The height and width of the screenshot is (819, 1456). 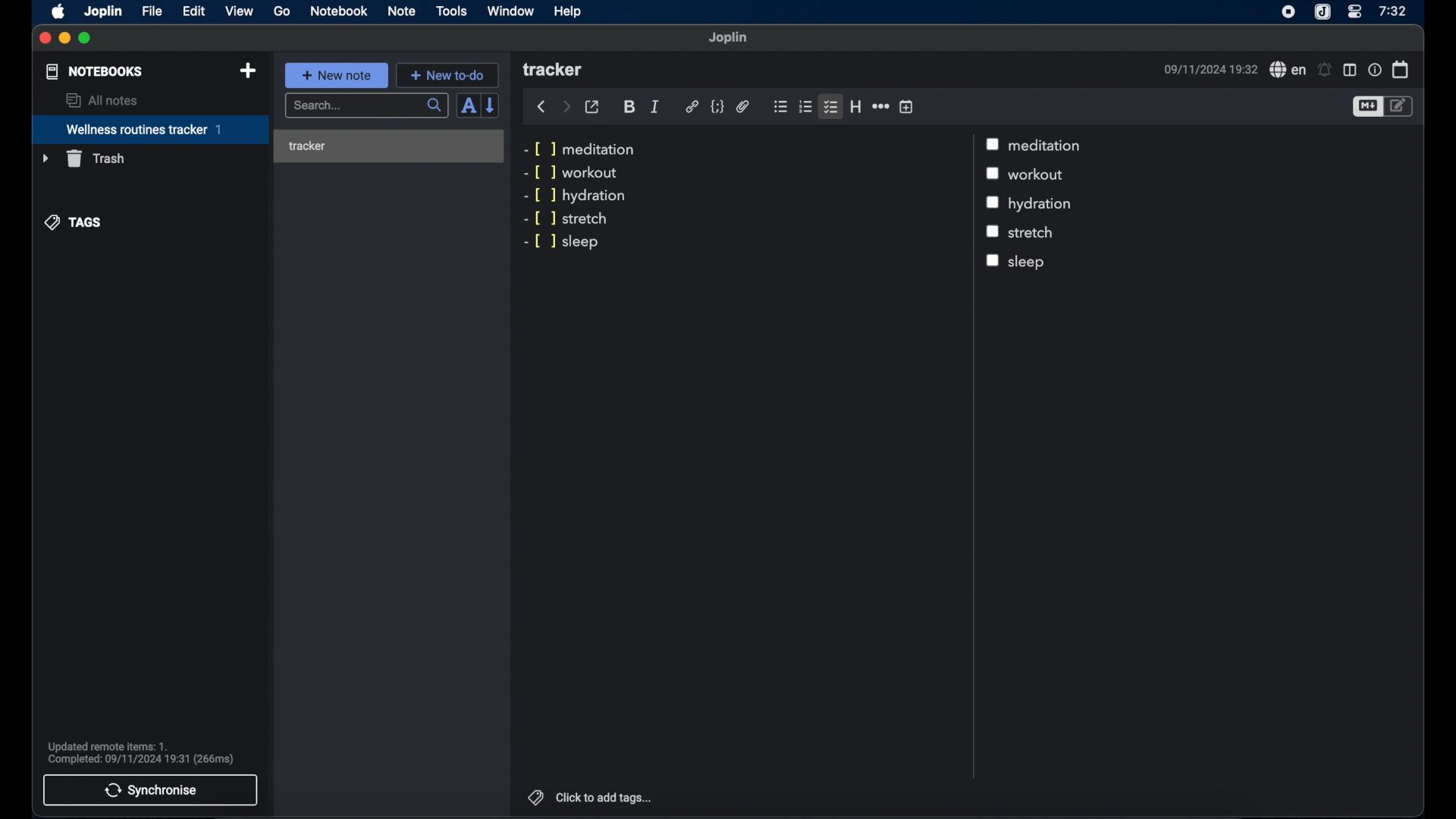 I want to click on file, so click(x=152, y=11).